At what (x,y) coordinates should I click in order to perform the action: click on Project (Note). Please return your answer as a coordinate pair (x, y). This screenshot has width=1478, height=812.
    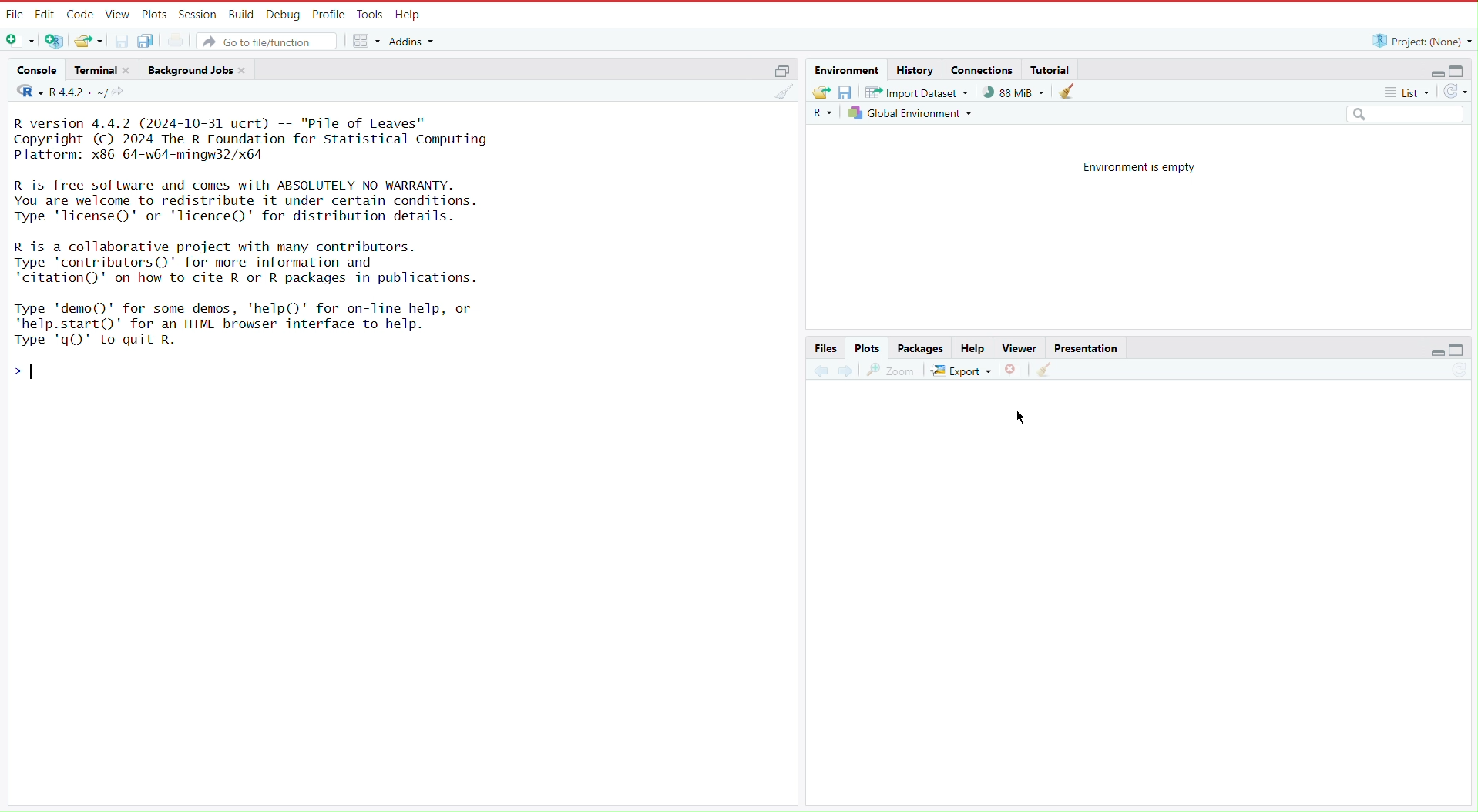
    Looking at the image, I should click on (1418, 40).